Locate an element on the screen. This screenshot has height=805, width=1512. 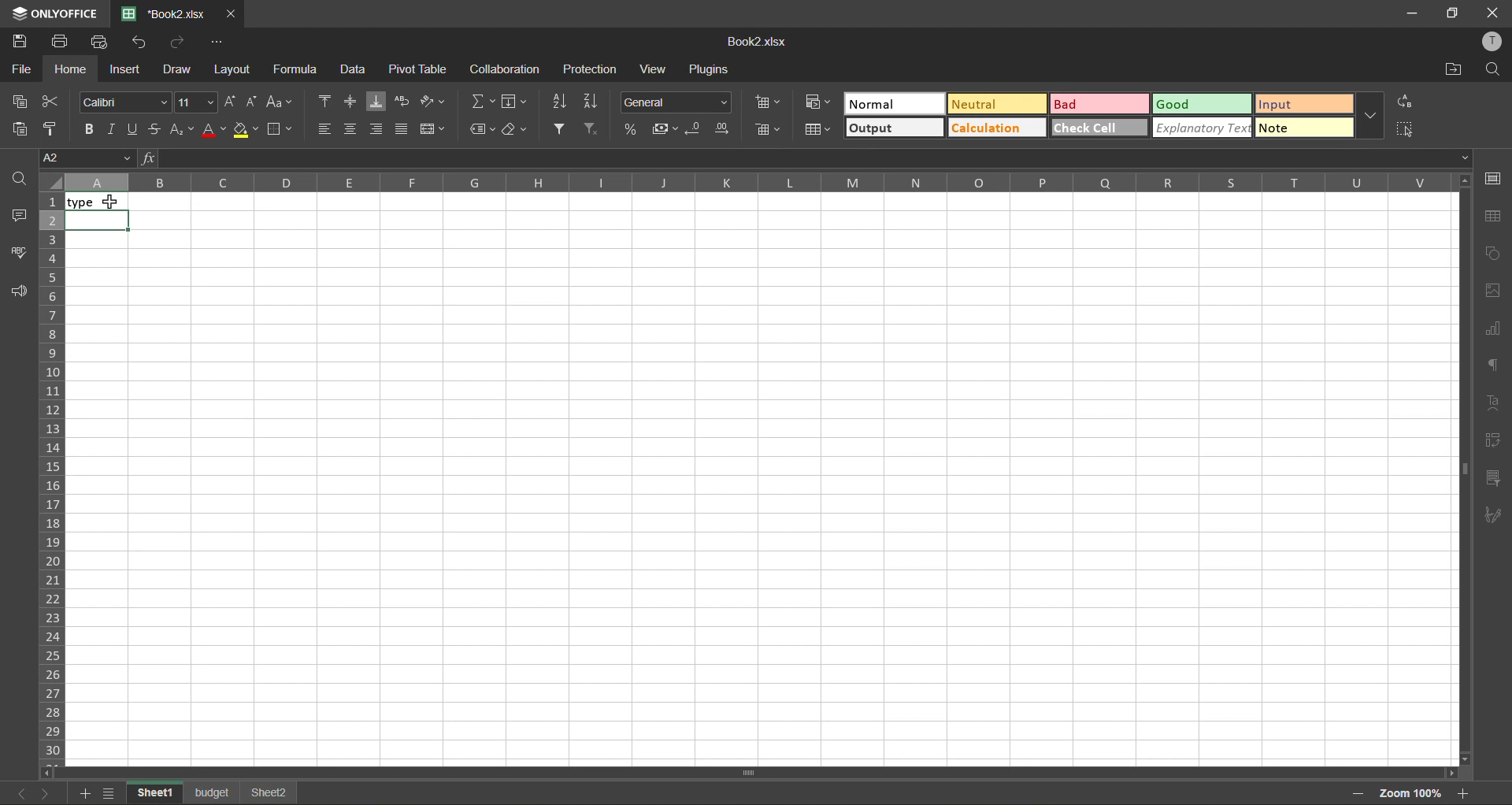
sub/superscript is located at coordinates (180, 131).